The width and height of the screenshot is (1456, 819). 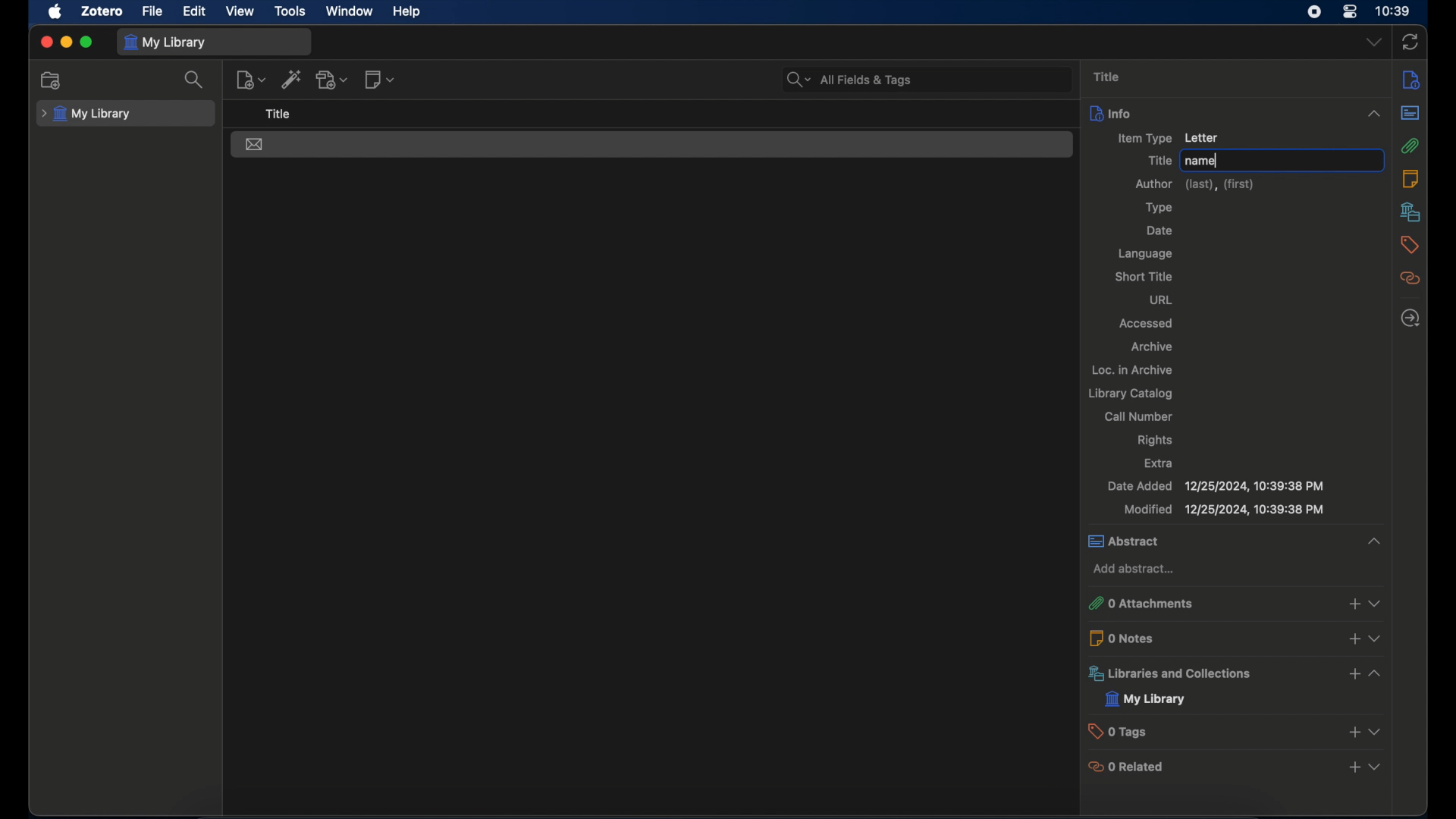 What do you see at coordinates (256, 146) in the screenshot?
I see `letter` at bounding box center [256, 146].